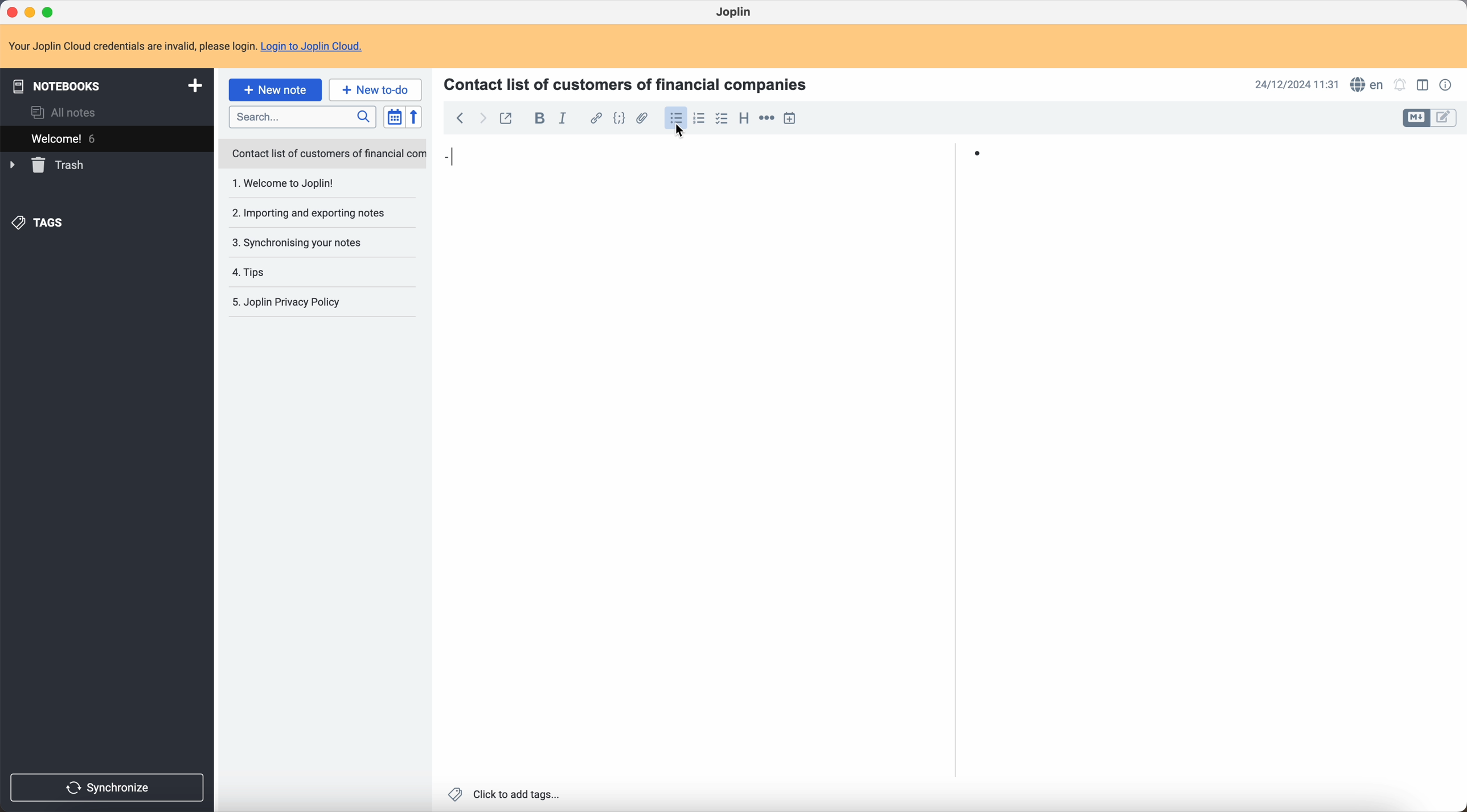  Describe the element at coordinates (108, 788) in the screenshot. I see `synchronize` at that location.